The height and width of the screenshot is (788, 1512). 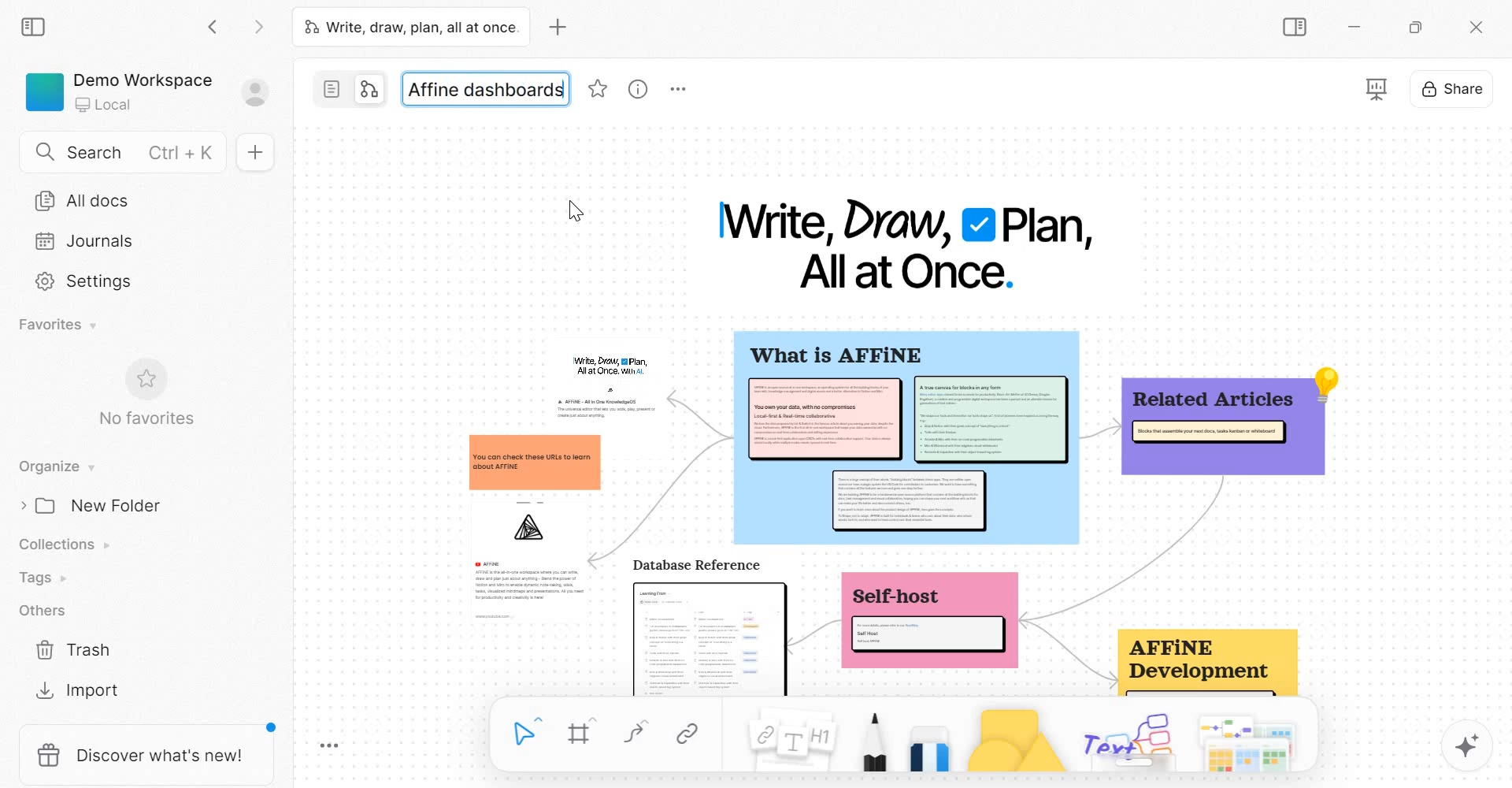 I want to click on others, so click(x=1130, y=741).